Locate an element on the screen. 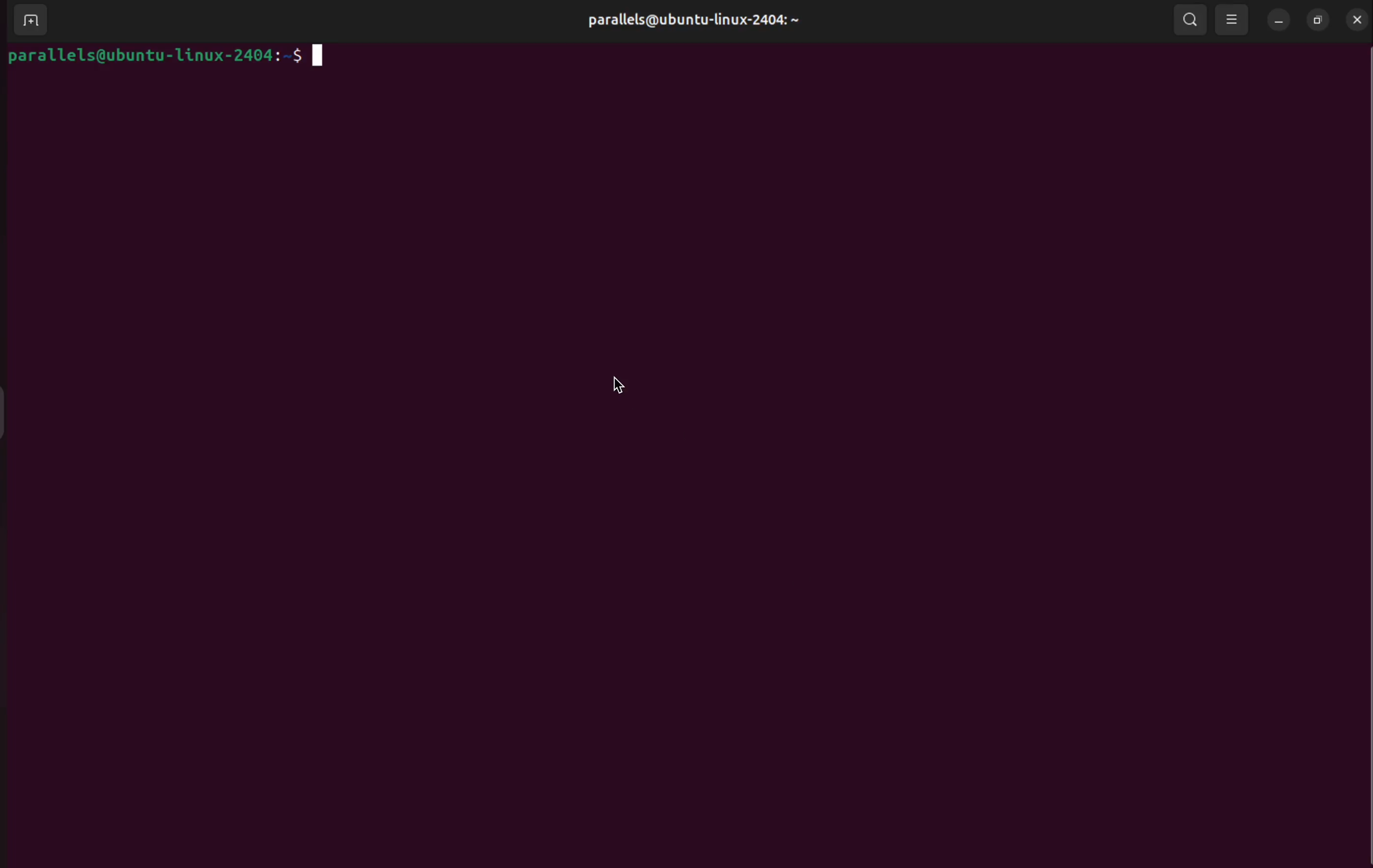 This screenshot has height=868, width=1373. close is located at coordinates (1357, 21).